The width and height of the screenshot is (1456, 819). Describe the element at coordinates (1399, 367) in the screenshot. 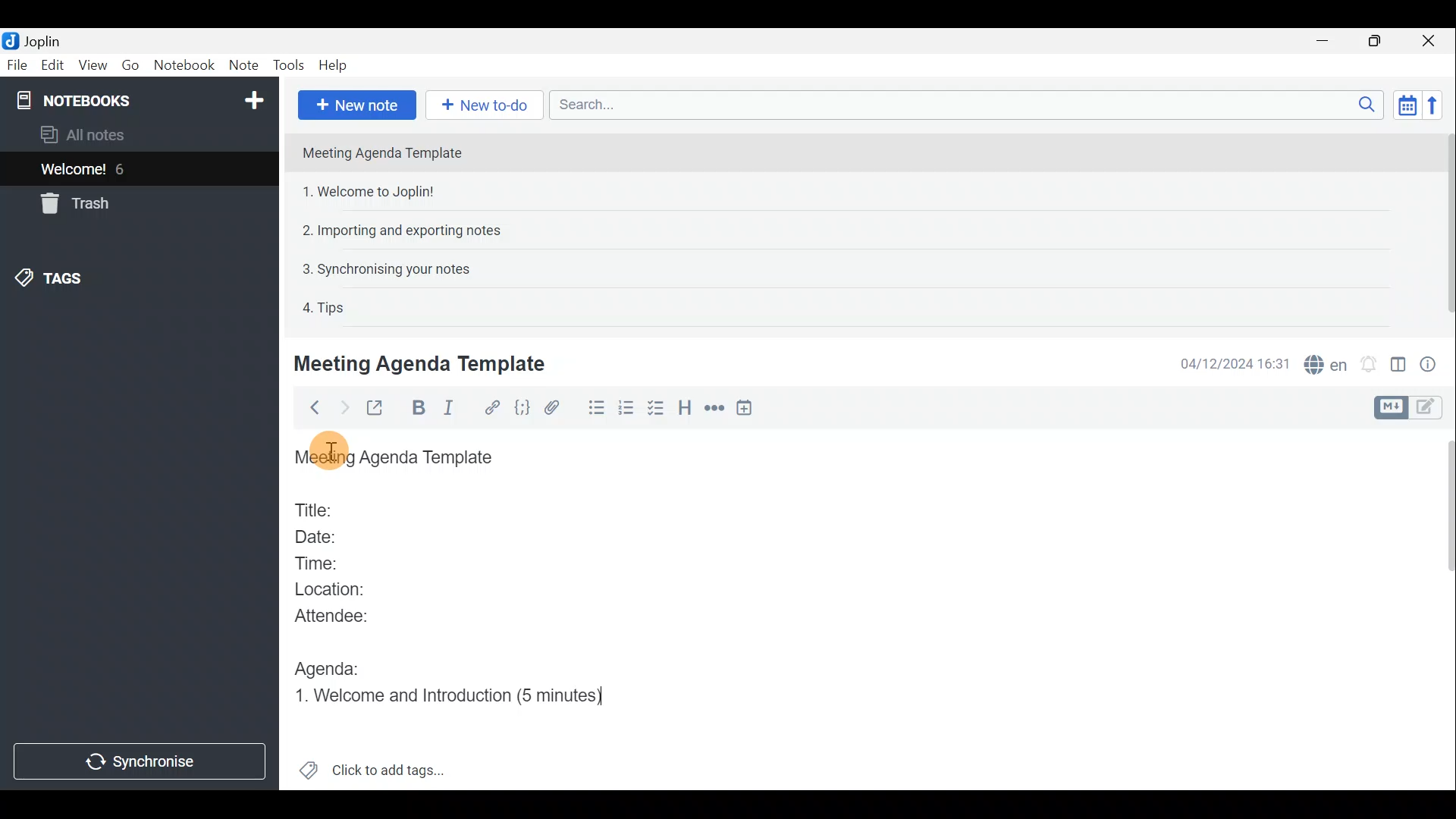

I see `Toggle editor layout` at that location.